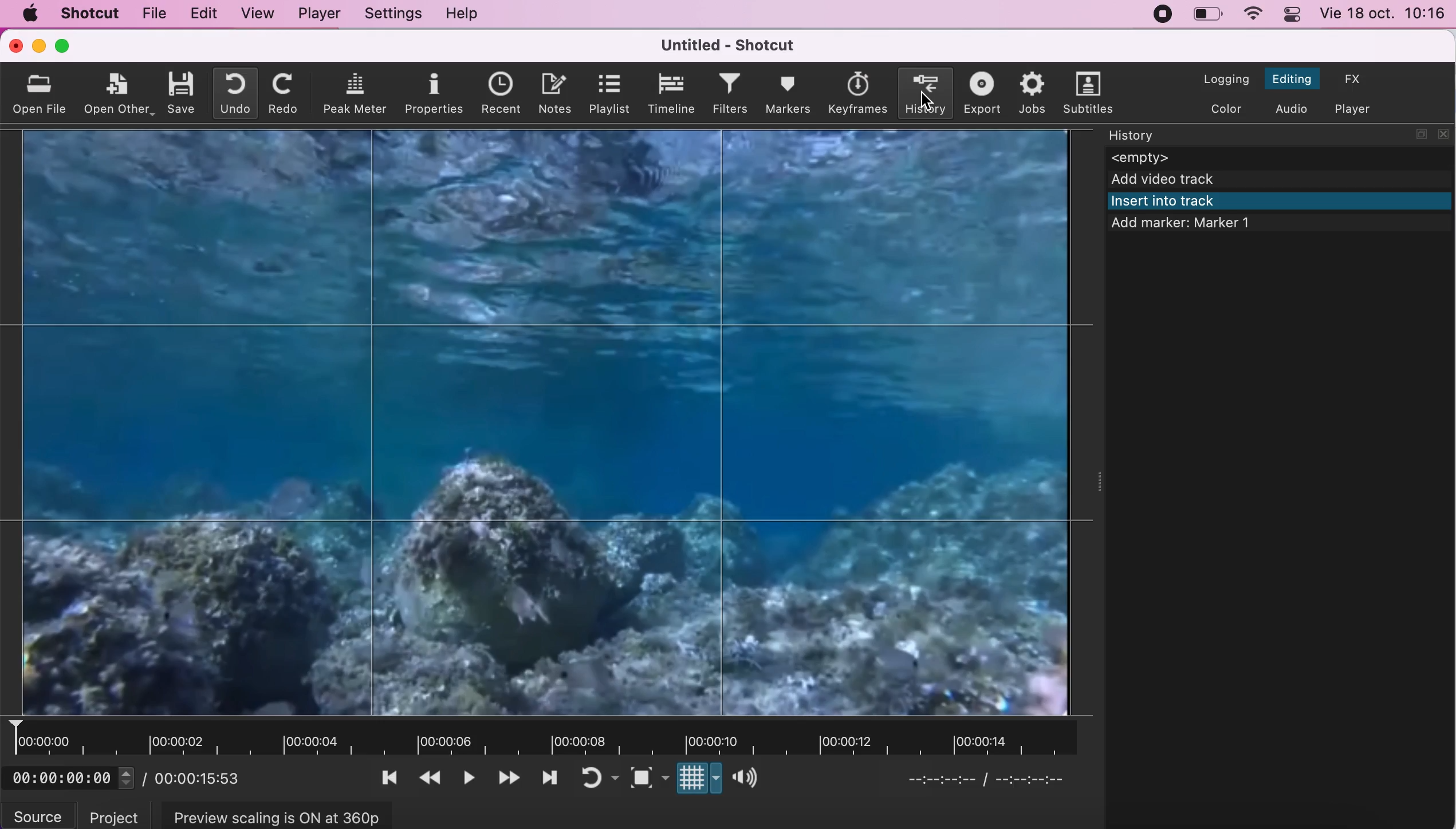 This screenshot has width=1456, height=829. I want to click on export, so click(980, 93).